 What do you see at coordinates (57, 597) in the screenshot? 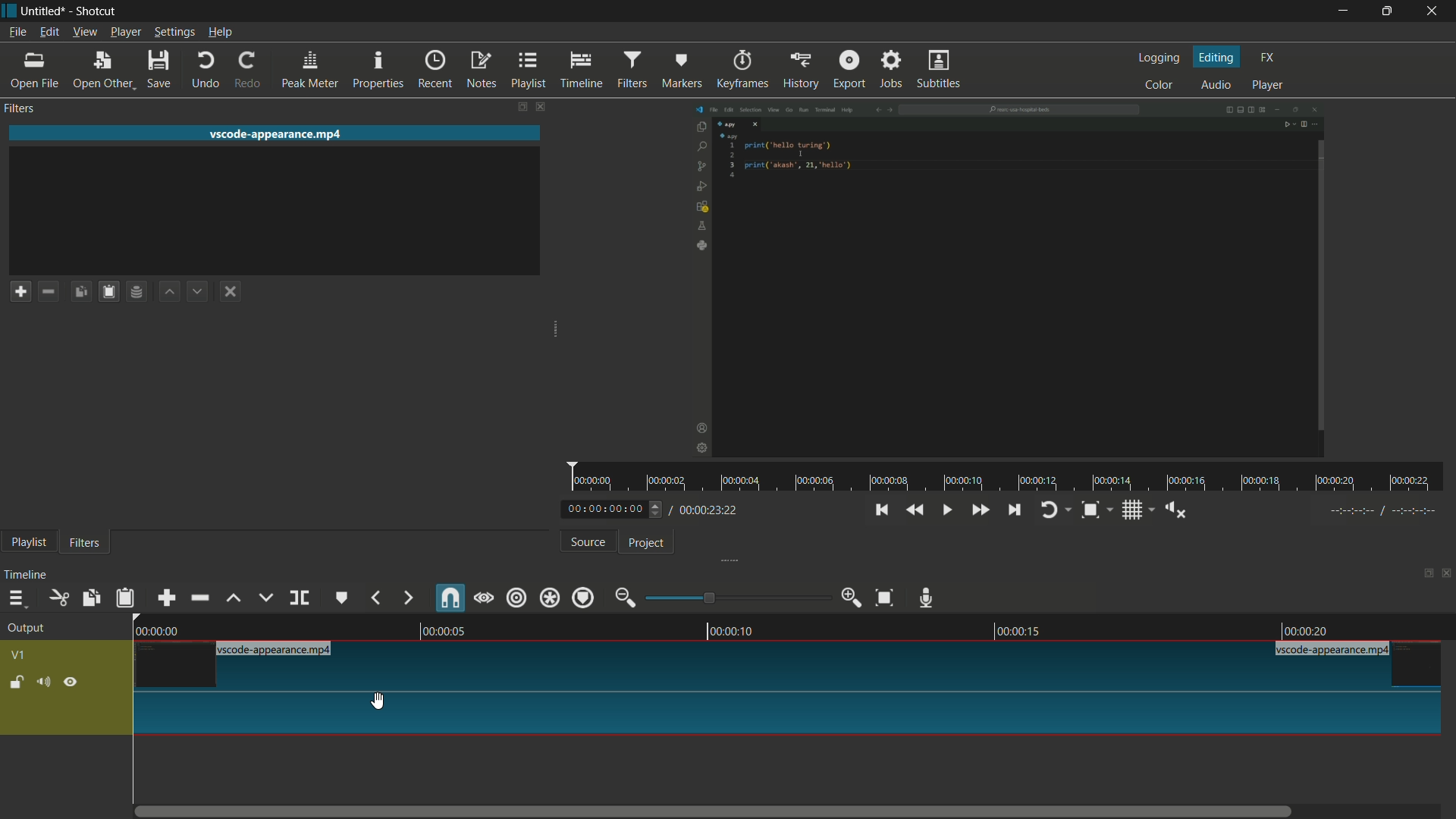
I see `cut` at bounding box center [57, 597].